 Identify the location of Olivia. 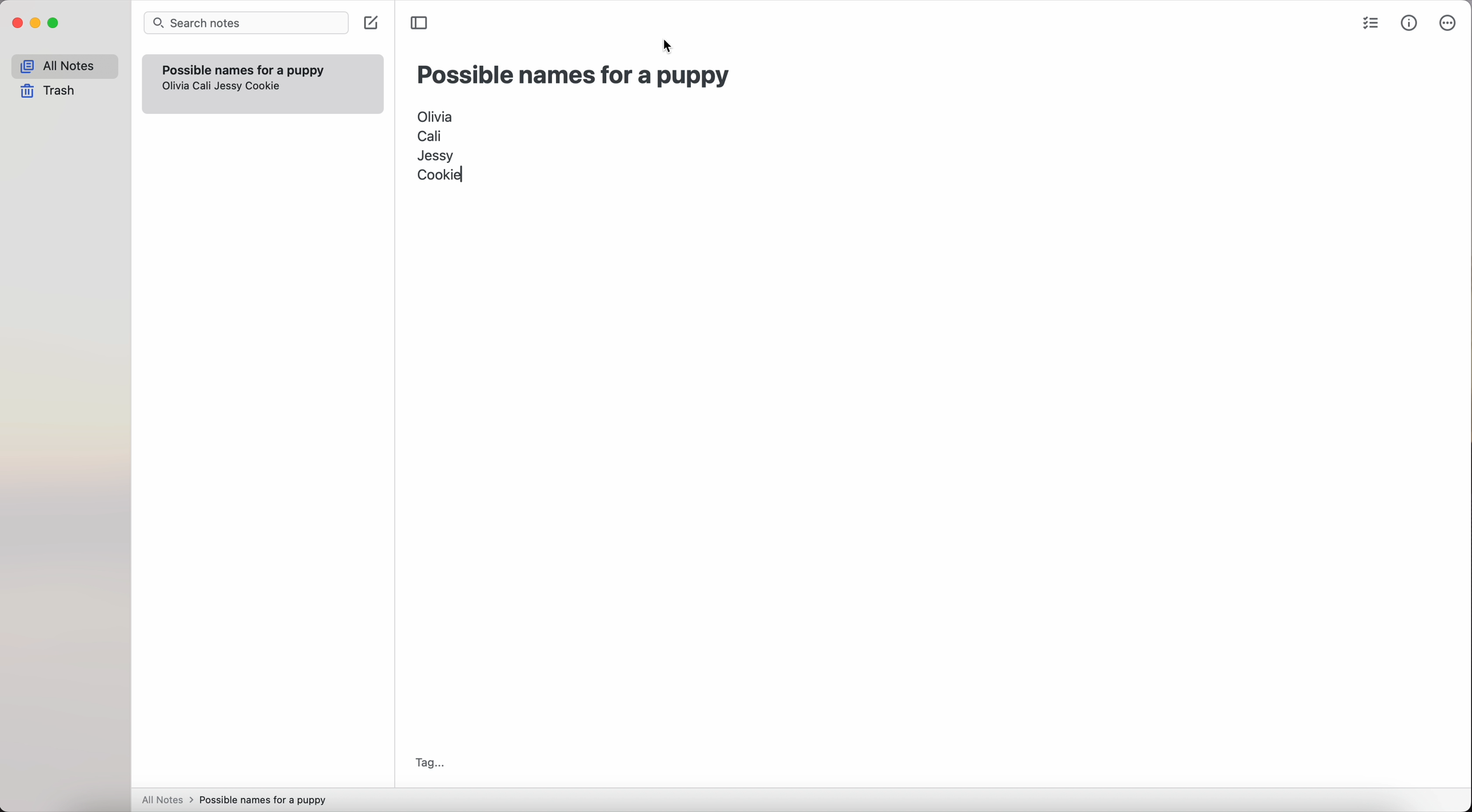
(436, 114).